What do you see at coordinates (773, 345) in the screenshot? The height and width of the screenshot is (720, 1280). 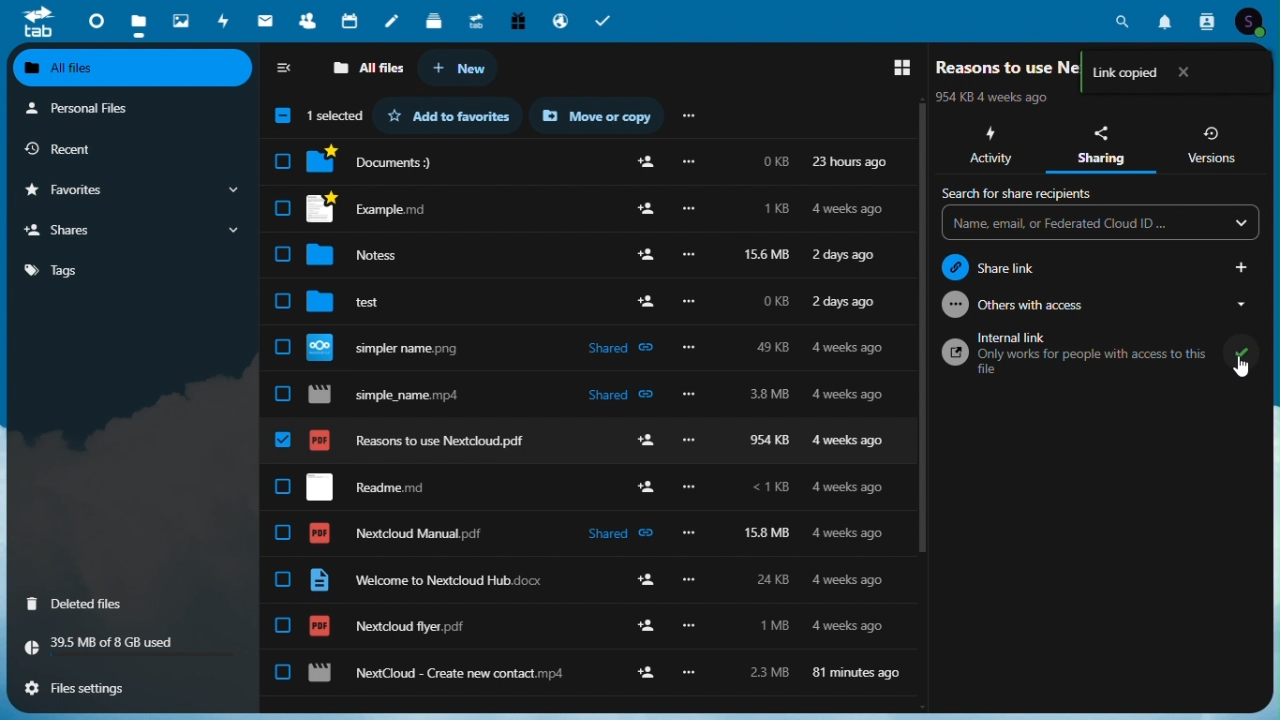 I see `49 kb` at bounding box center [773, 345].